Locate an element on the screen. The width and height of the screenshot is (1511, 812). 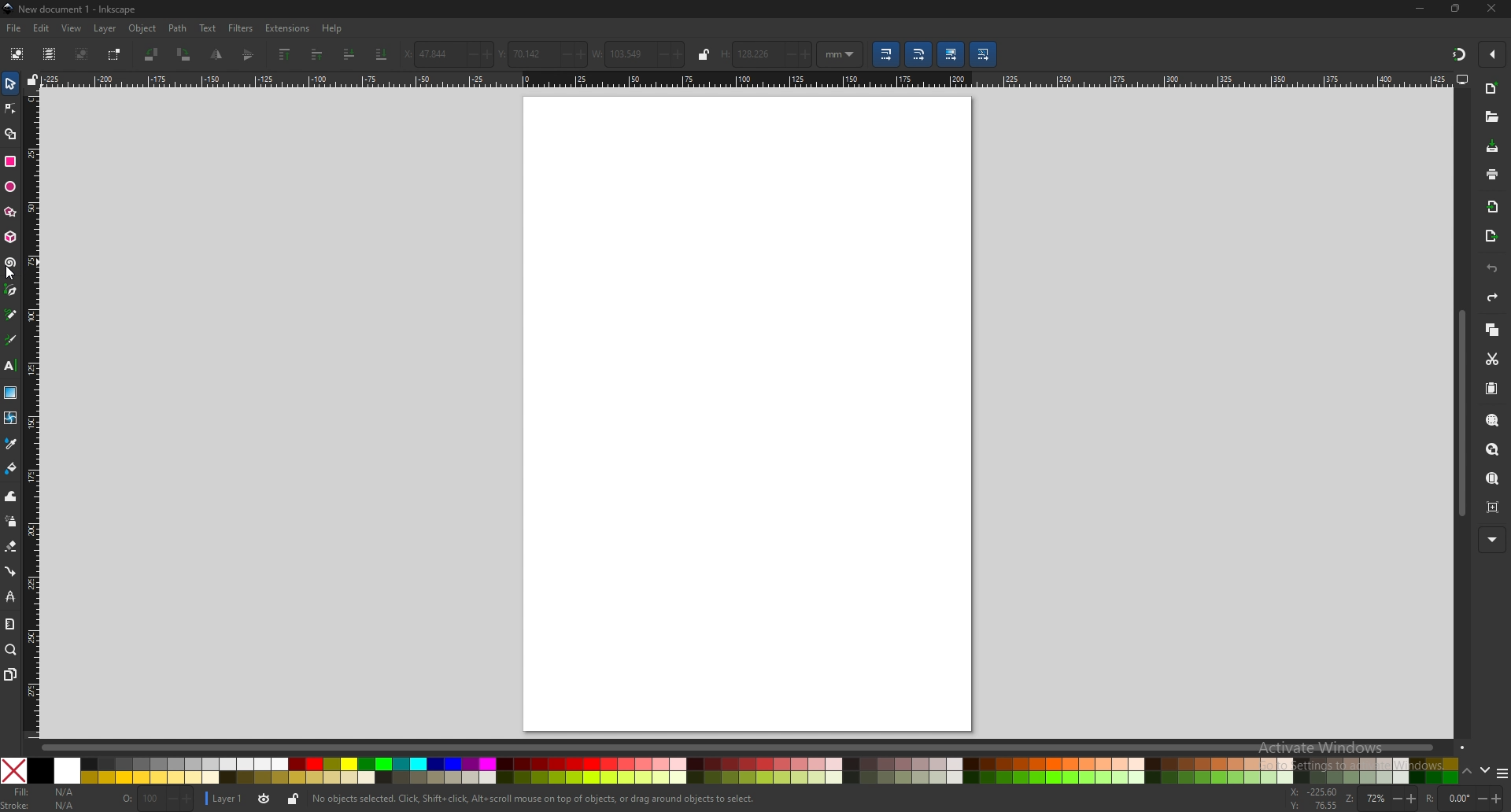
display tools is located at coordinates (1463, 79).